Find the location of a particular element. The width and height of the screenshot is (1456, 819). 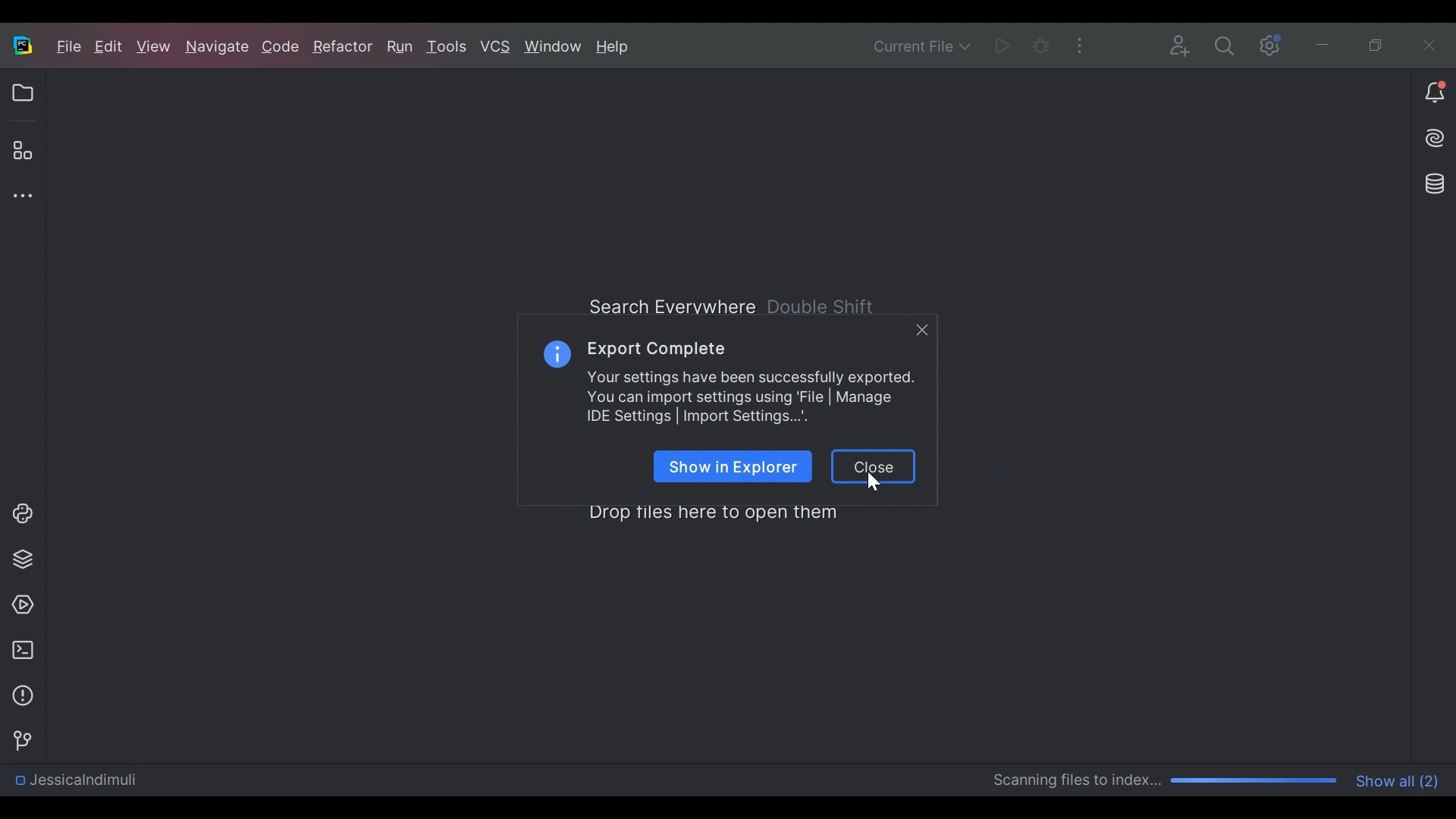

Close is located at coordinates (1424, 42).